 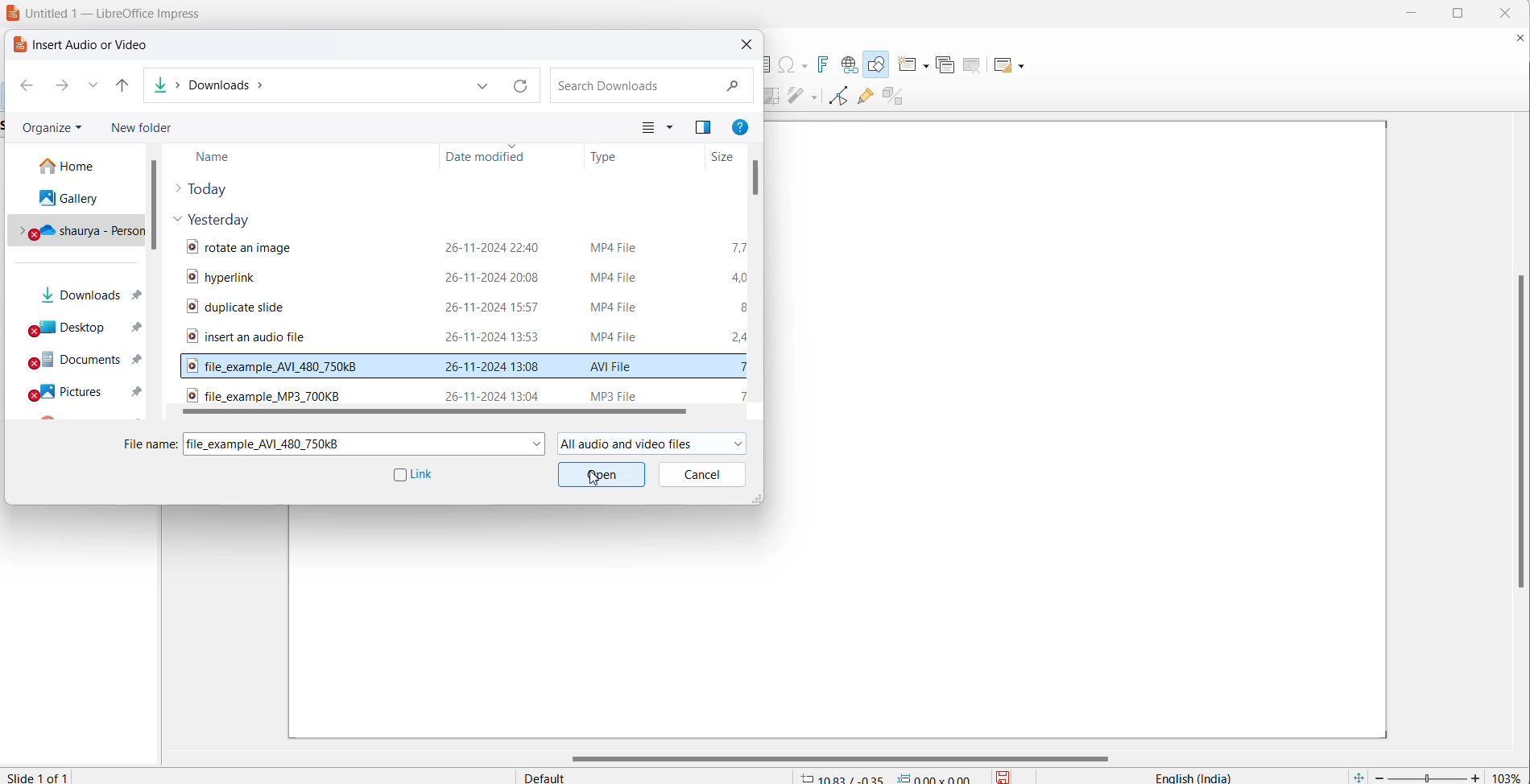 I want to click on file size heading, so click(x=715, y=153).